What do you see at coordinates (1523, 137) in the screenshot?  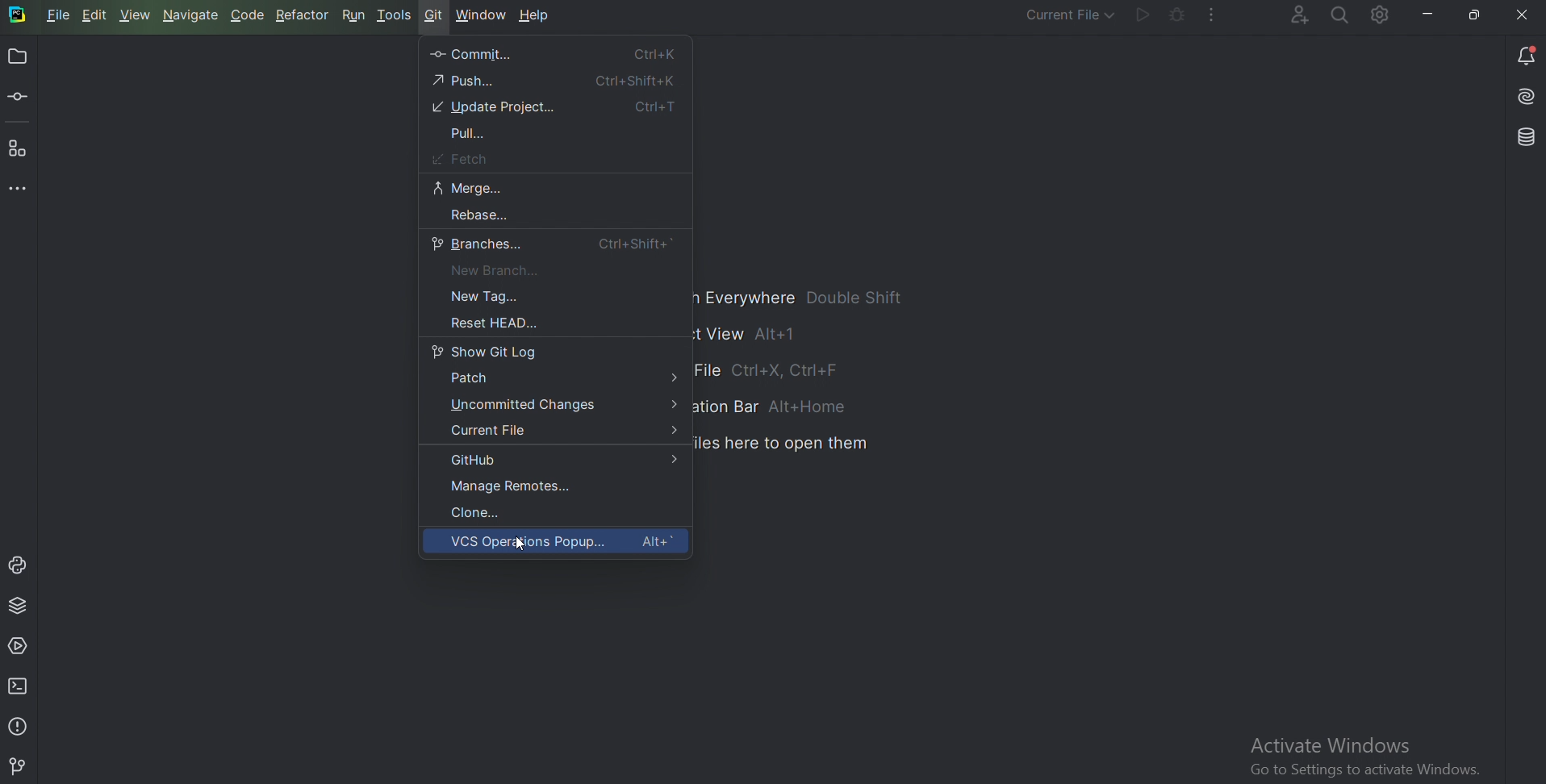 I see `Database` at bounding box center [1523, 137].